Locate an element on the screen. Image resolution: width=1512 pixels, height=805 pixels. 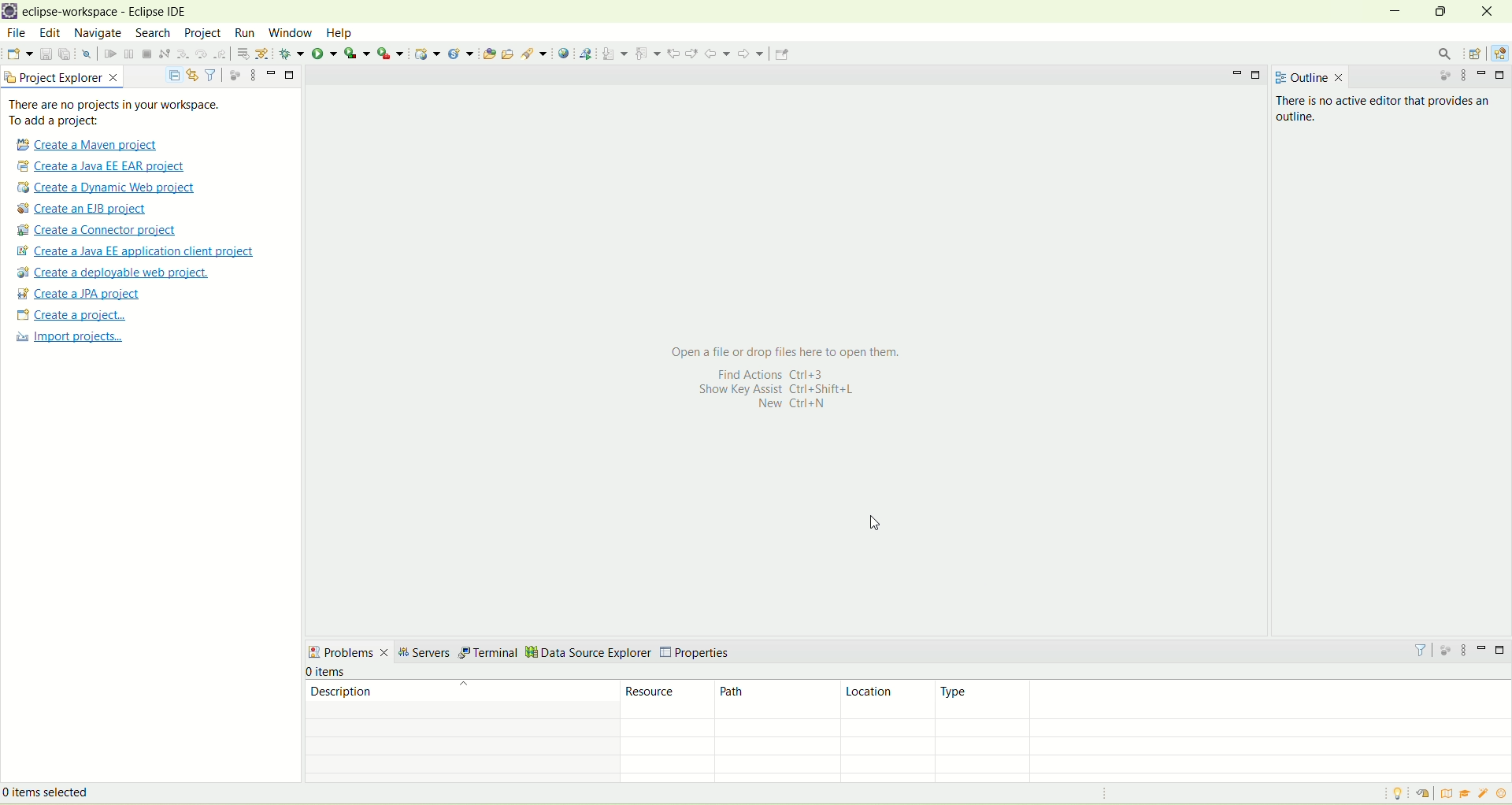
open perspective is located at coordinates (1477, 53).